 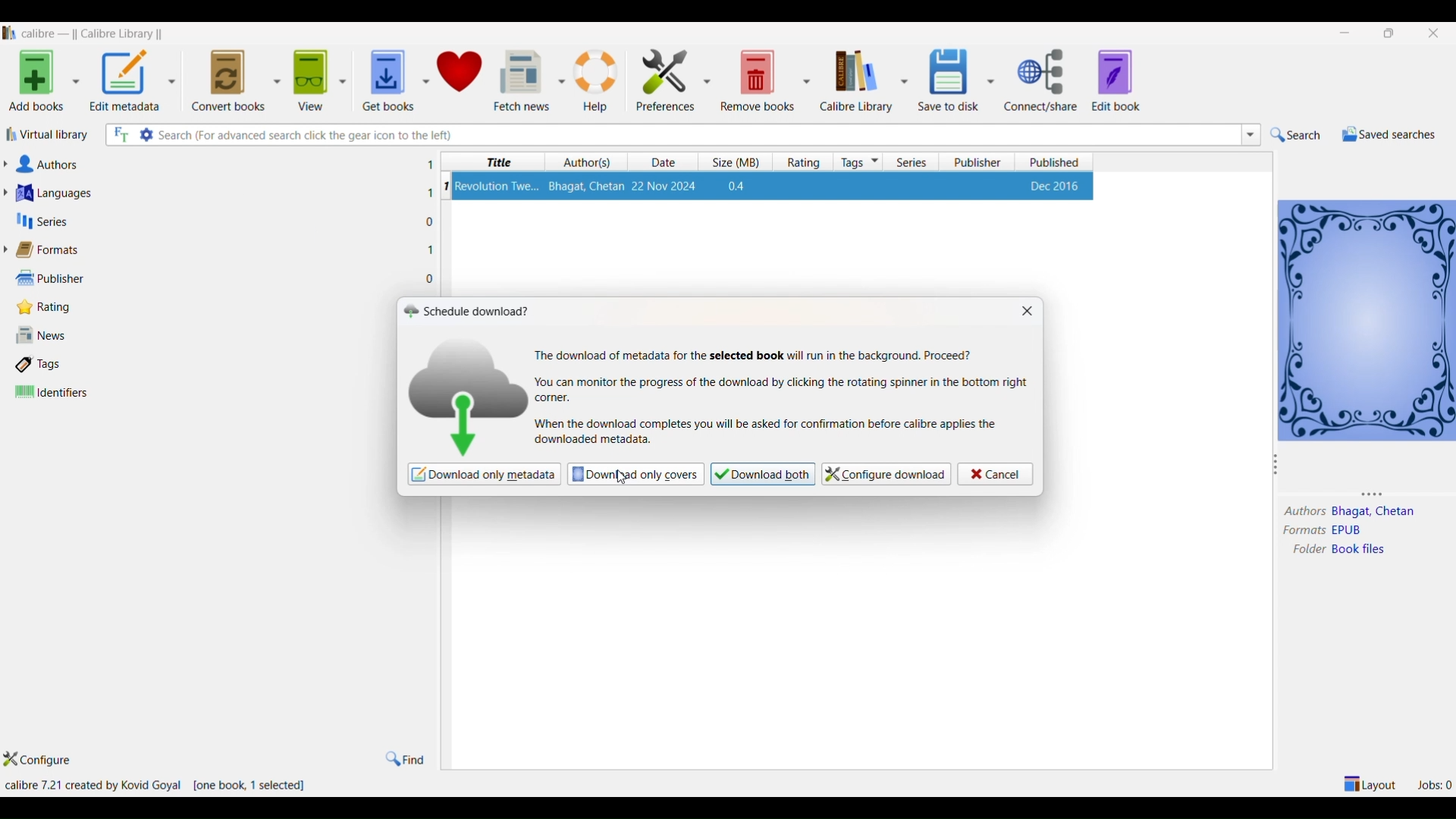 I want to click on resize, so click(x=1379, y=493).